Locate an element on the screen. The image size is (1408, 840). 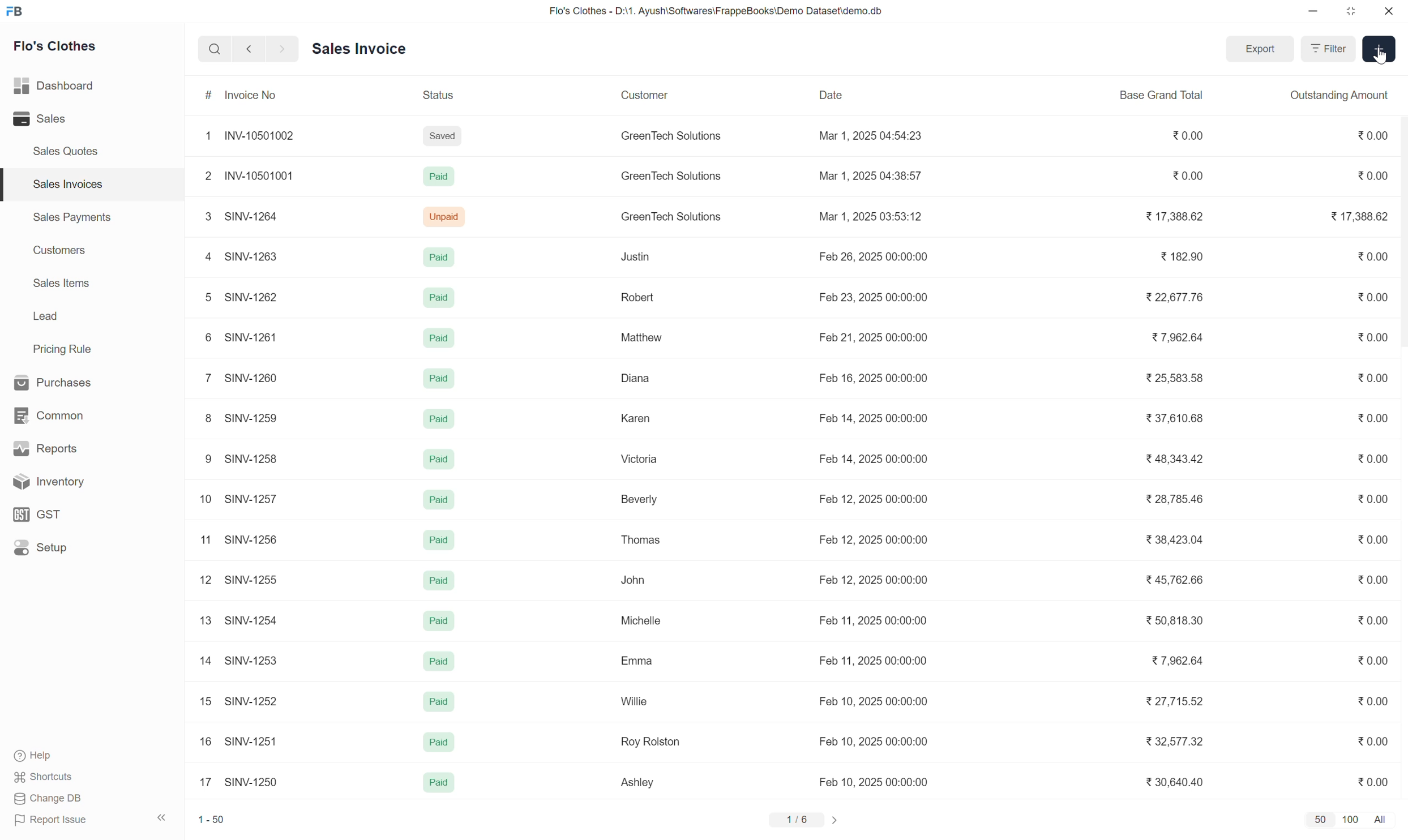
Paid is located at coordinates (433, 662).